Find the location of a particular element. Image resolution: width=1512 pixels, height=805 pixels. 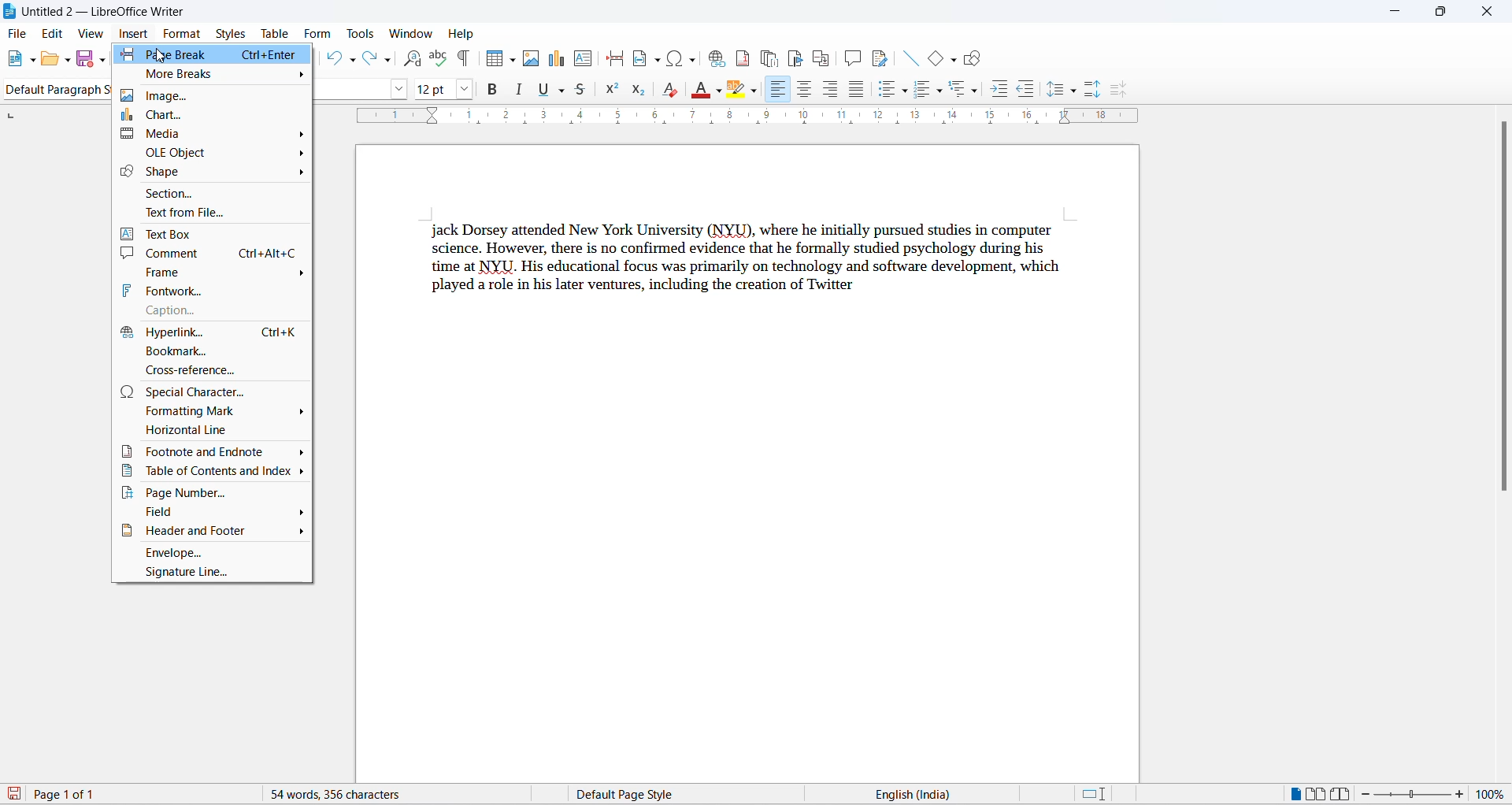

section is located at coordinates (213, 192).